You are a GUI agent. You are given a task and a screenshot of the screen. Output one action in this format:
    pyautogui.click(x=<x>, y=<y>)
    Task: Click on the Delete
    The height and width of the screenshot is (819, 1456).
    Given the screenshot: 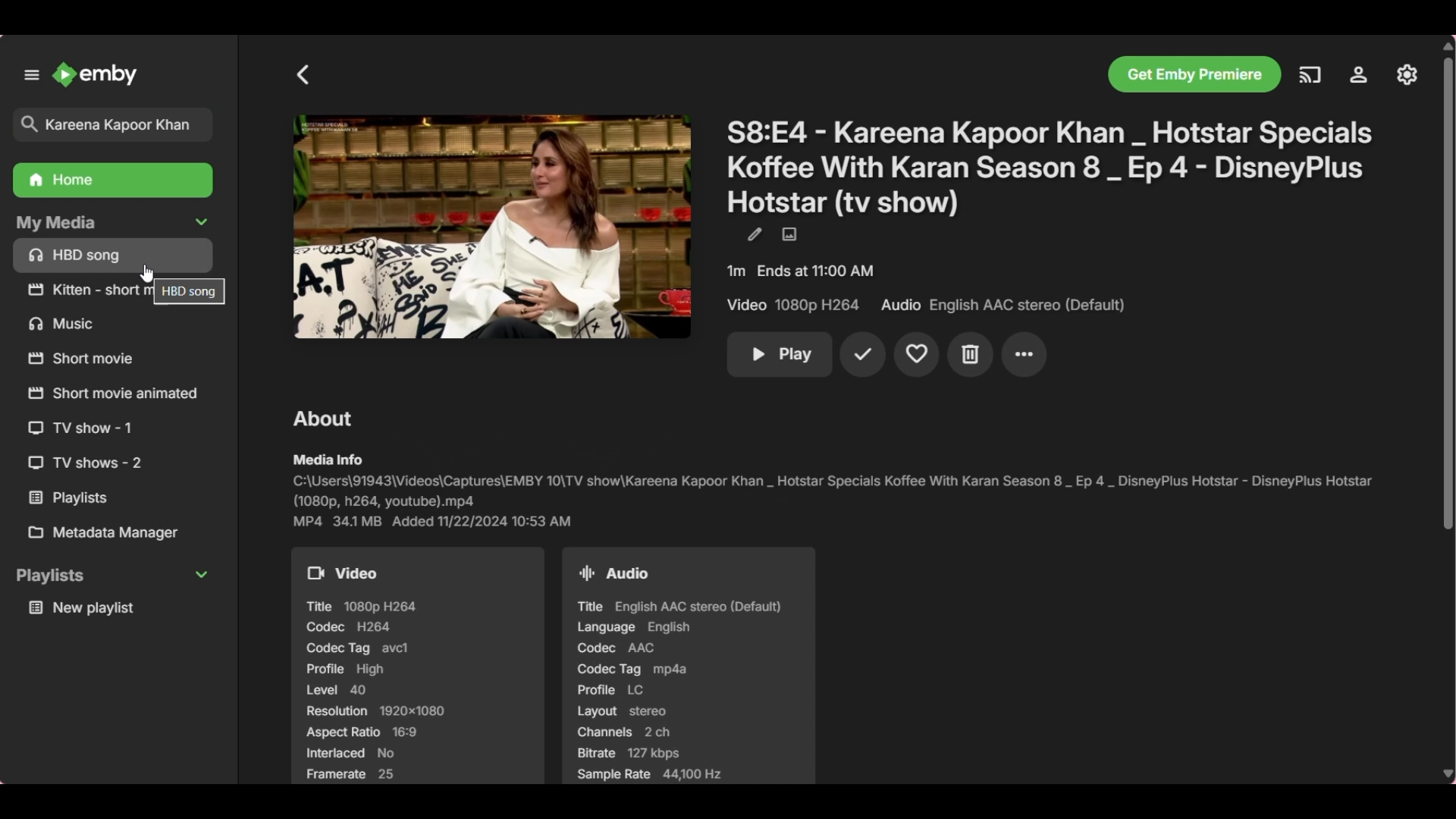 What is the action you would take?
    pyautogui.click(x=970, y=355)
    